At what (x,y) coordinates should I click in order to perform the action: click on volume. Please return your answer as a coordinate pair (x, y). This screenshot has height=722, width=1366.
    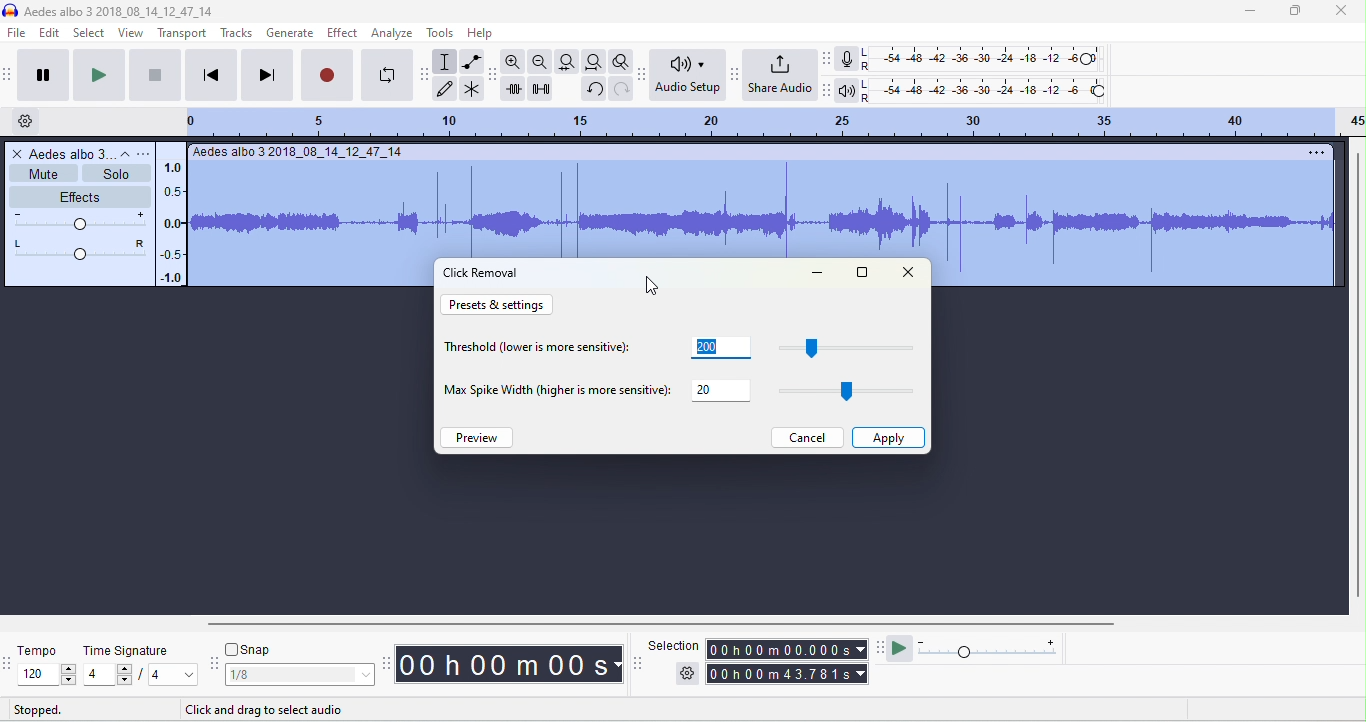
    Looking at the image, I should click on (76, 219).